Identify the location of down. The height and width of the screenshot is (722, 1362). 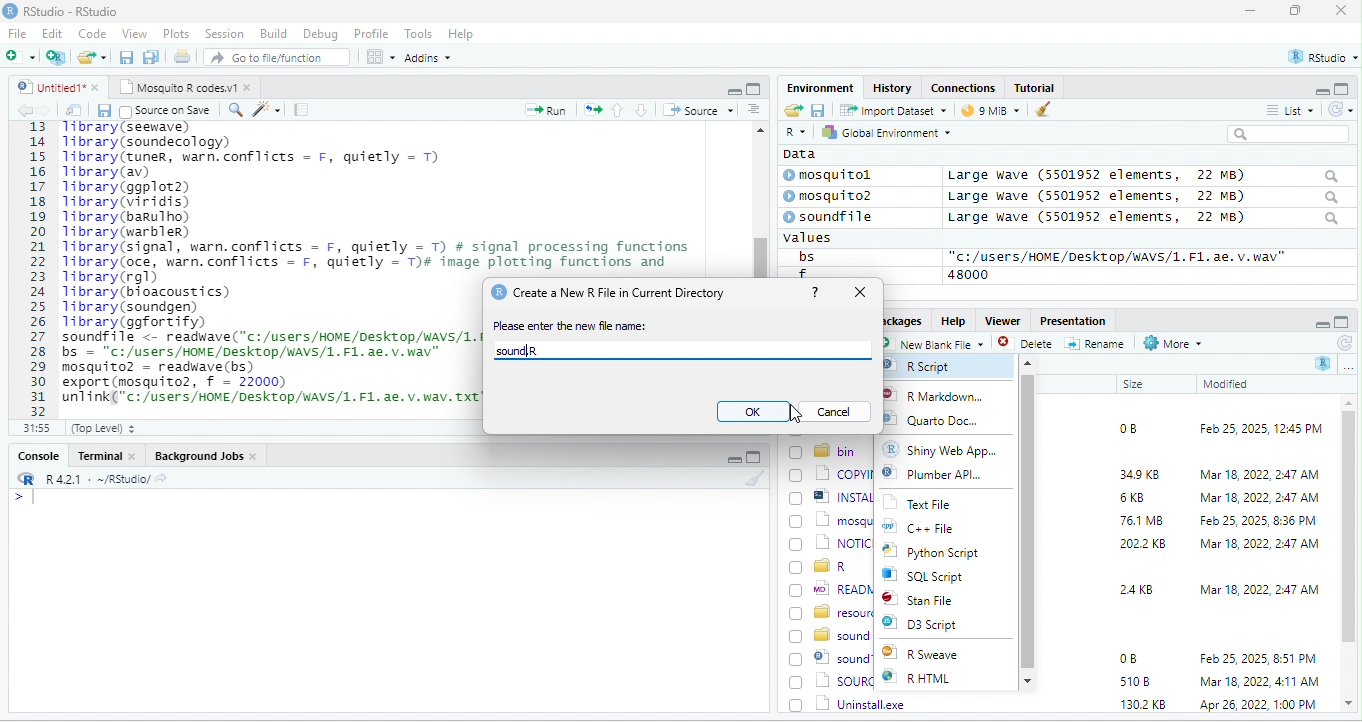
(642, 109).